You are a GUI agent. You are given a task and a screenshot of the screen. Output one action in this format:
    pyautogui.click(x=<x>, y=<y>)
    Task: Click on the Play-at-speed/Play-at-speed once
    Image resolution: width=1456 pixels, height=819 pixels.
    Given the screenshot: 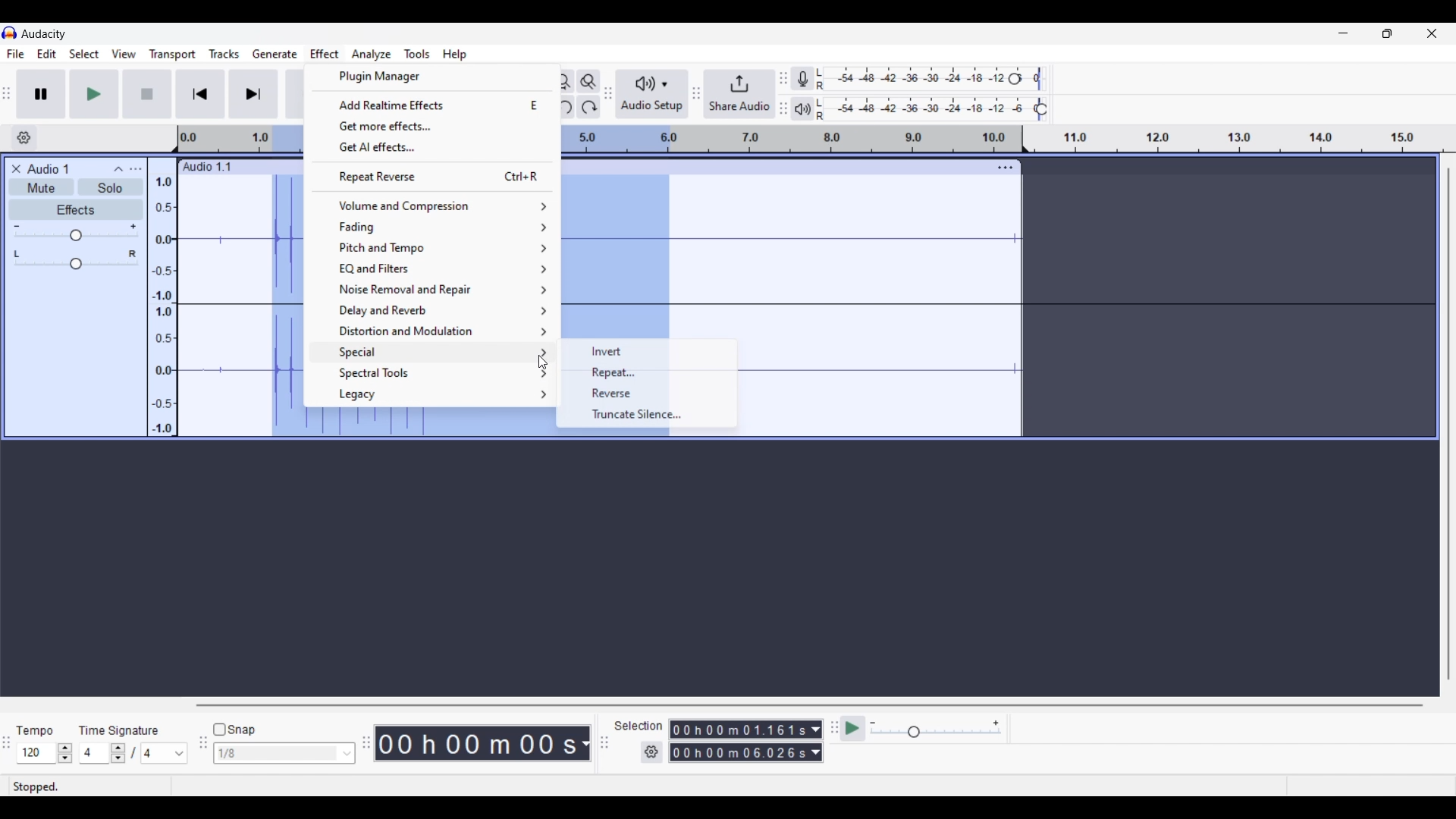 What is the action you would take?
    pyautogui.click(x=852, y=729)
    